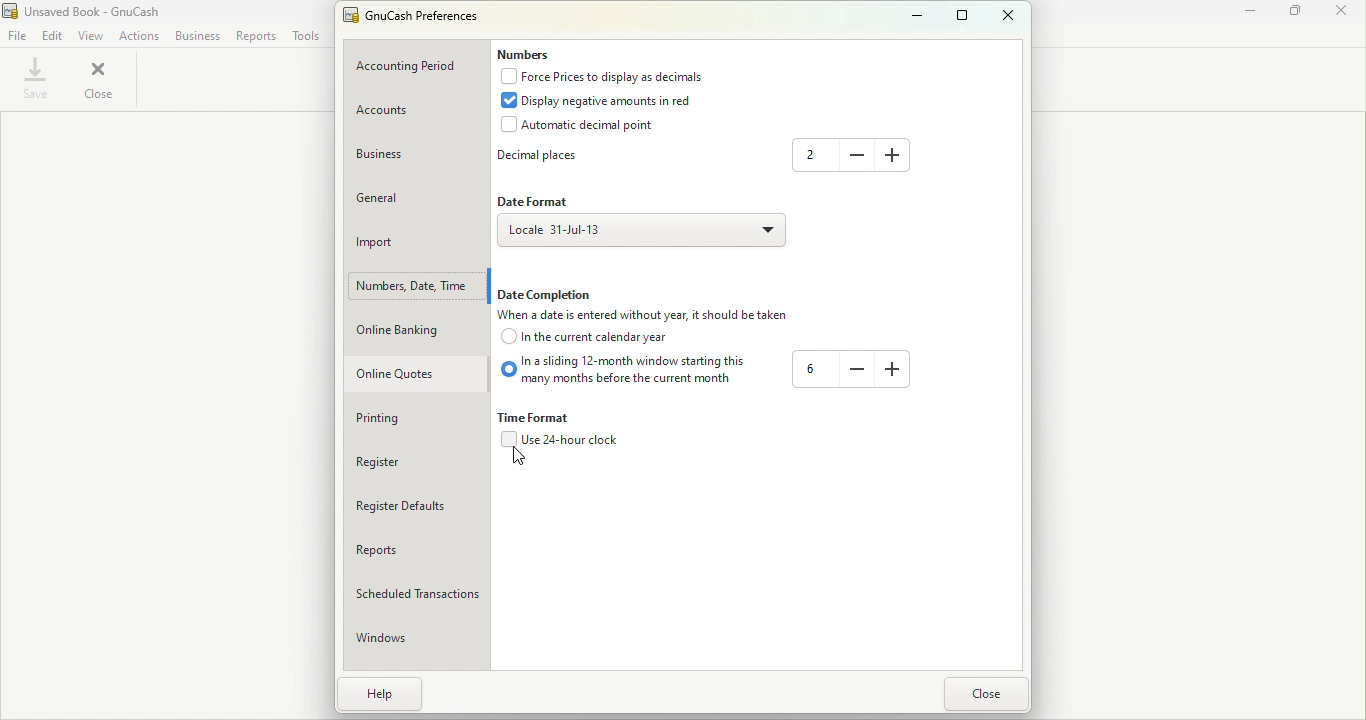 Image resolution: width=1366 pixels, height=720 pixels. Describe the element at coordinates (807, 369) in the screenshot. I see `6` at that location.